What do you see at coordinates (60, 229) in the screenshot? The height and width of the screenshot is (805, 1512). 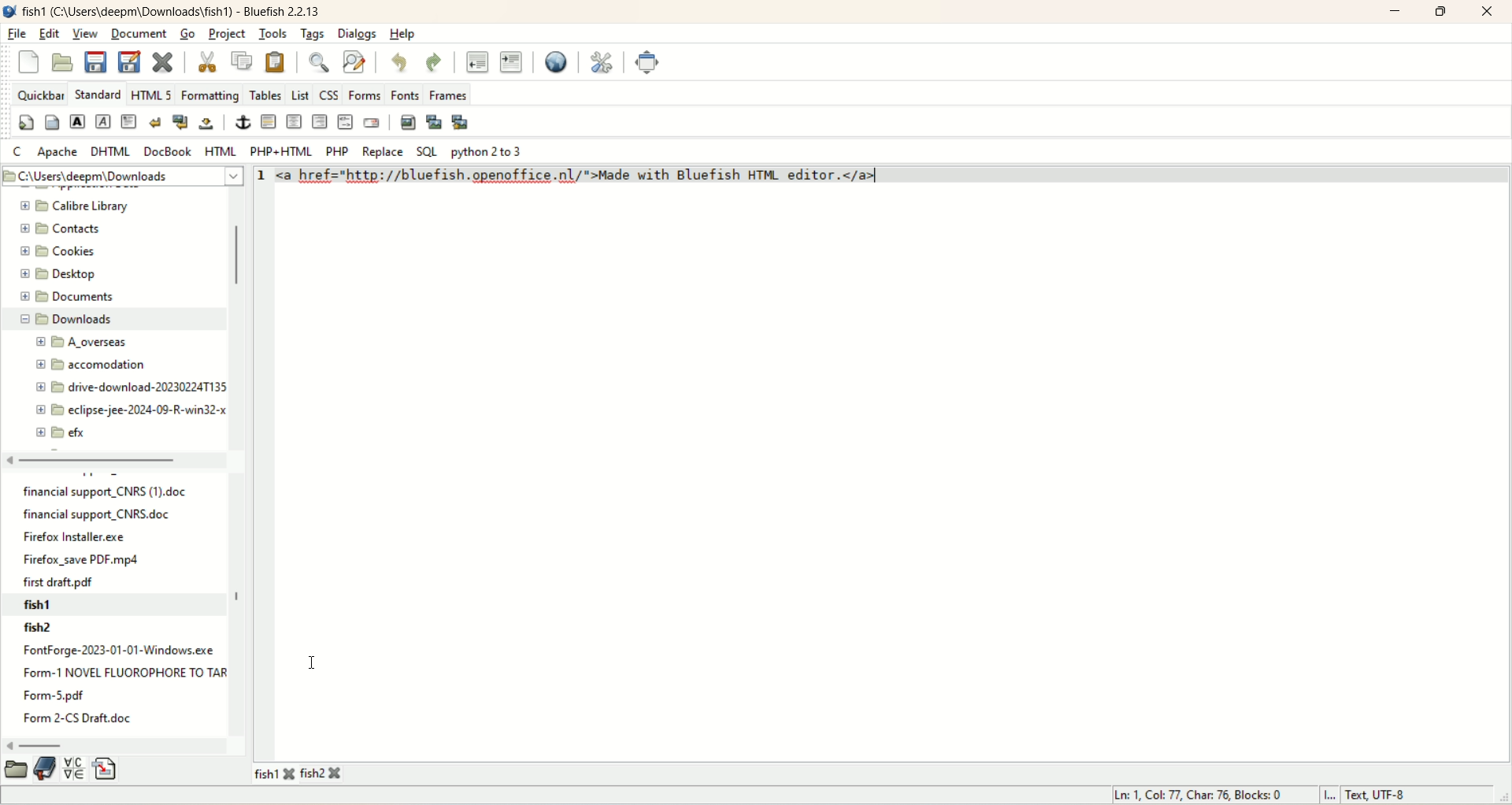 I see `contacts` at bounding box center [60, 229].